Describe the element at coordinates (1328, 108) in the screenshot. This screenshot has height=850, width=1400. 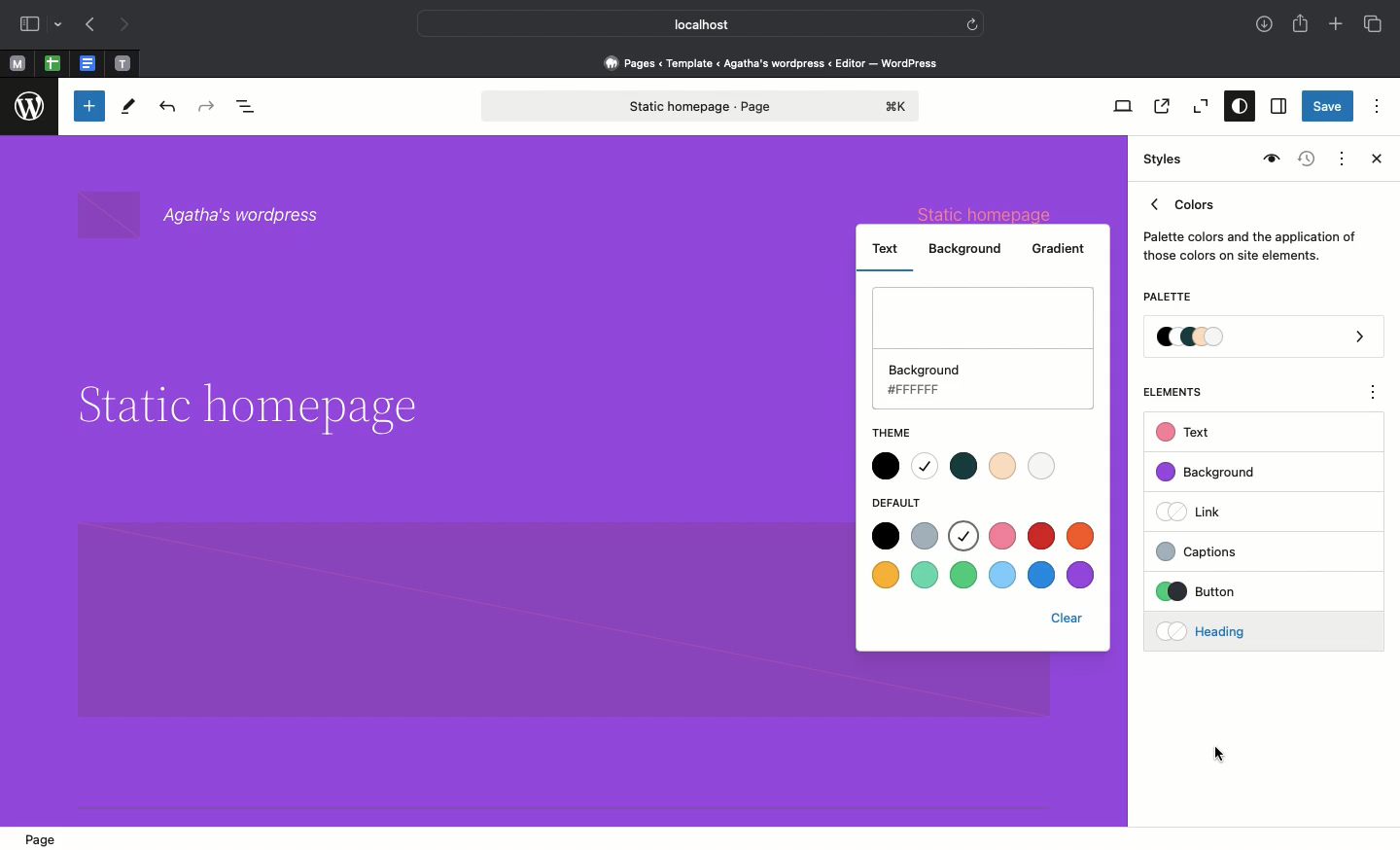
I see `Save` at that location.